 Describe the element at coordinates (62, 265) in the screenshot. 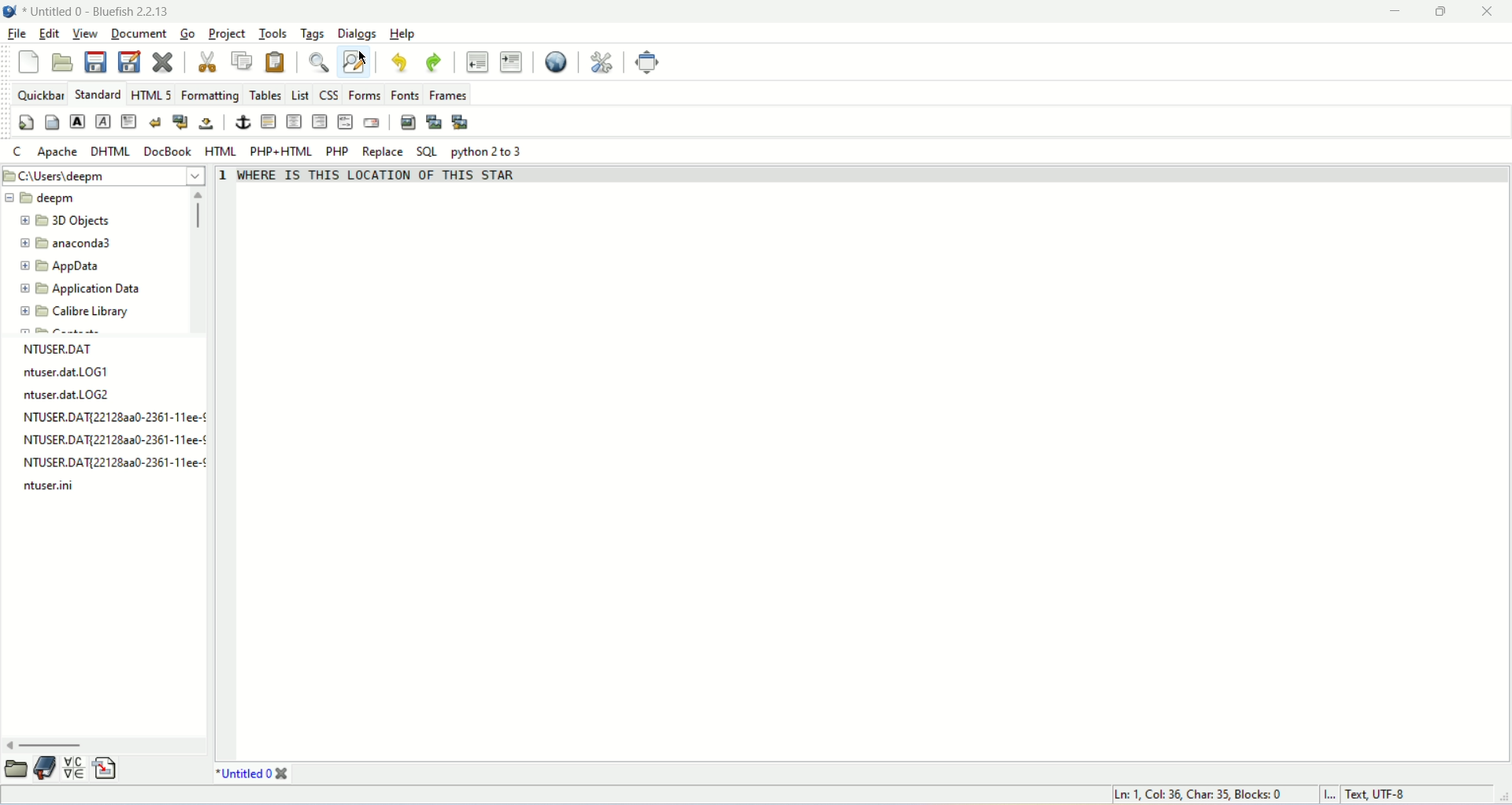

I see `AppData` at that location.